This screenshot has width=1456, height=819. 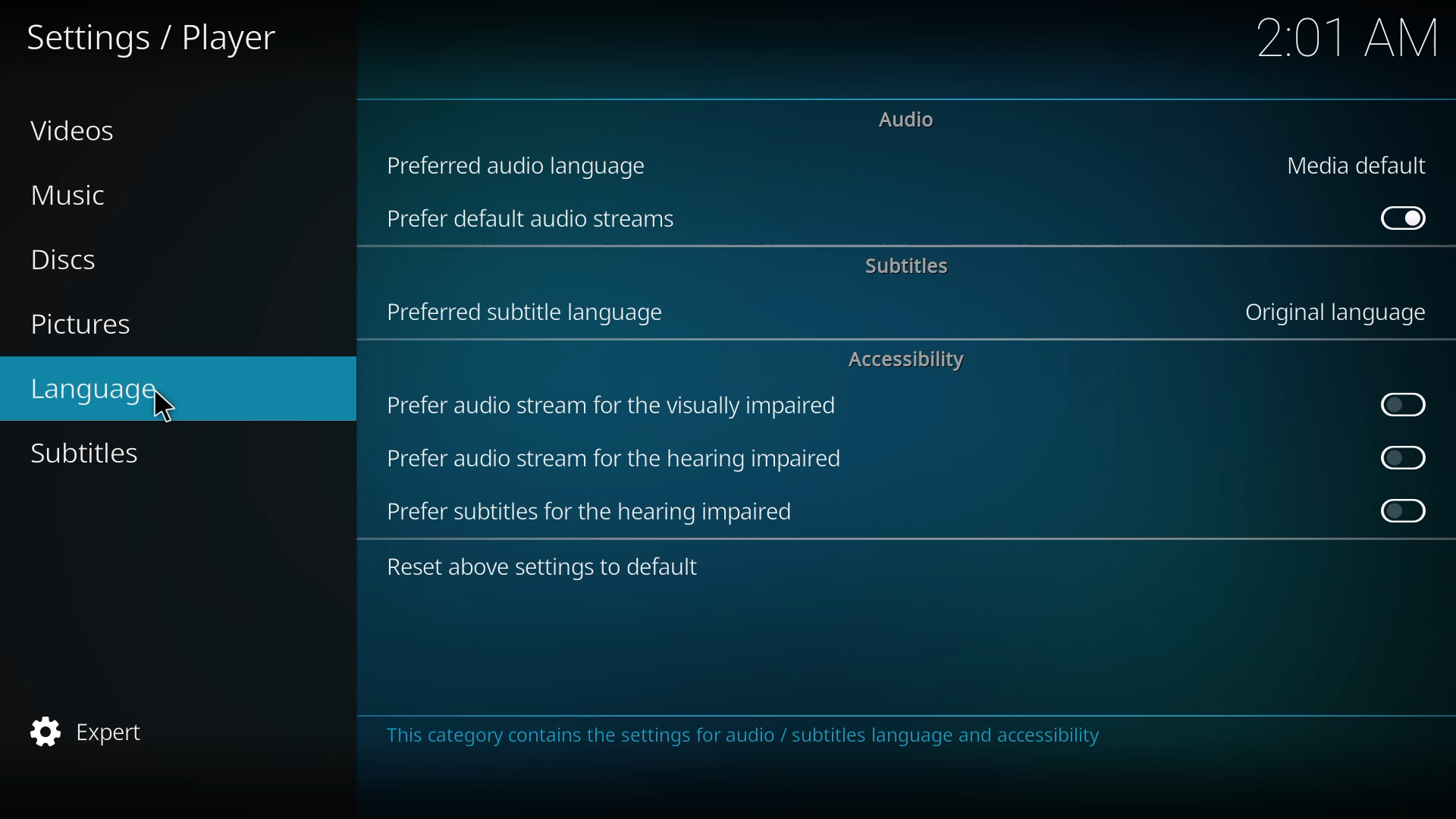 What do you see at coordinates (613, 406) in the screenshot?
I see `prefer audio stream for visually impaired` at bounding box center [613, 406].